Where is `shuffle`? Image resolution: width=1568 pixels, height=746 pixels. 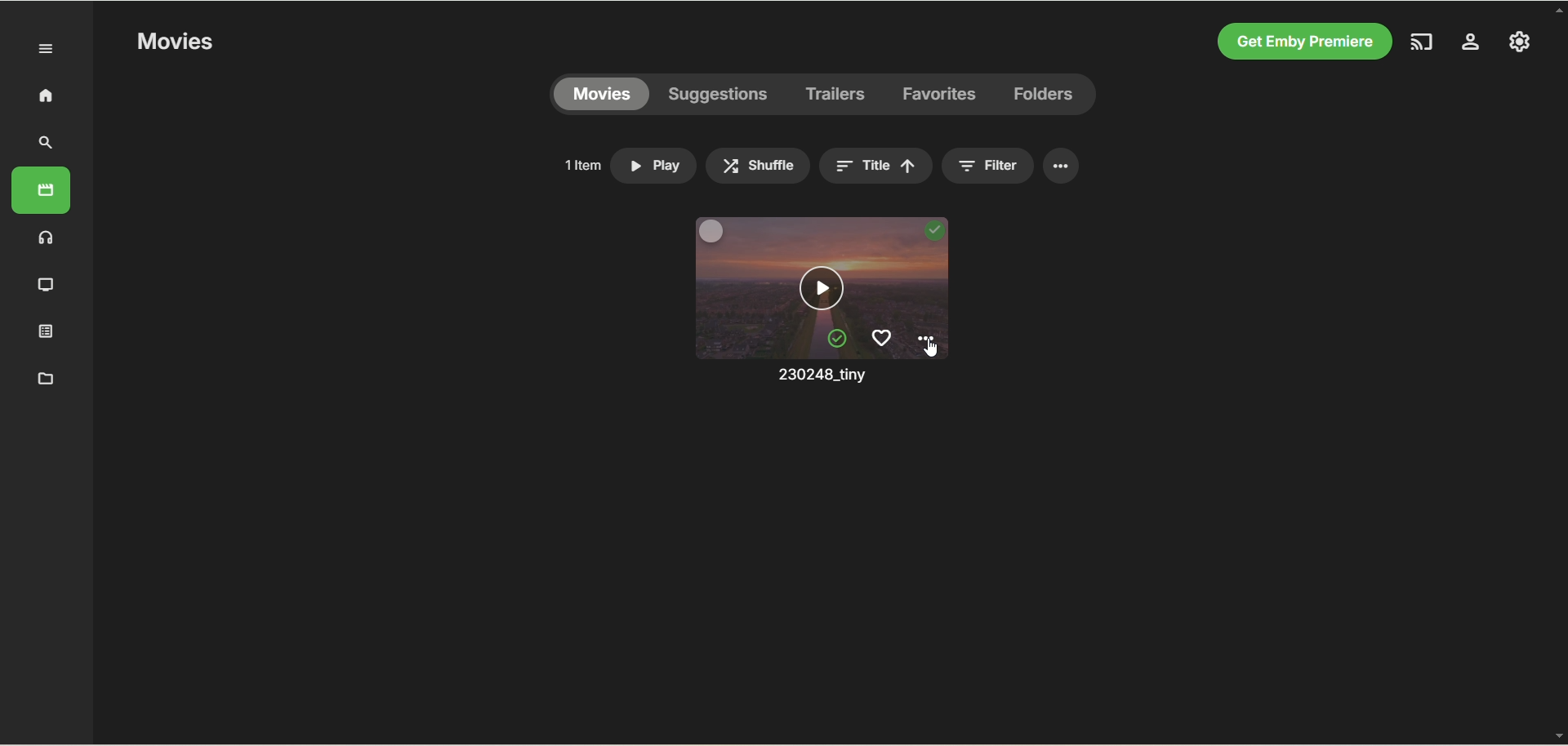 shuffle is located at coordinates (758, 166).